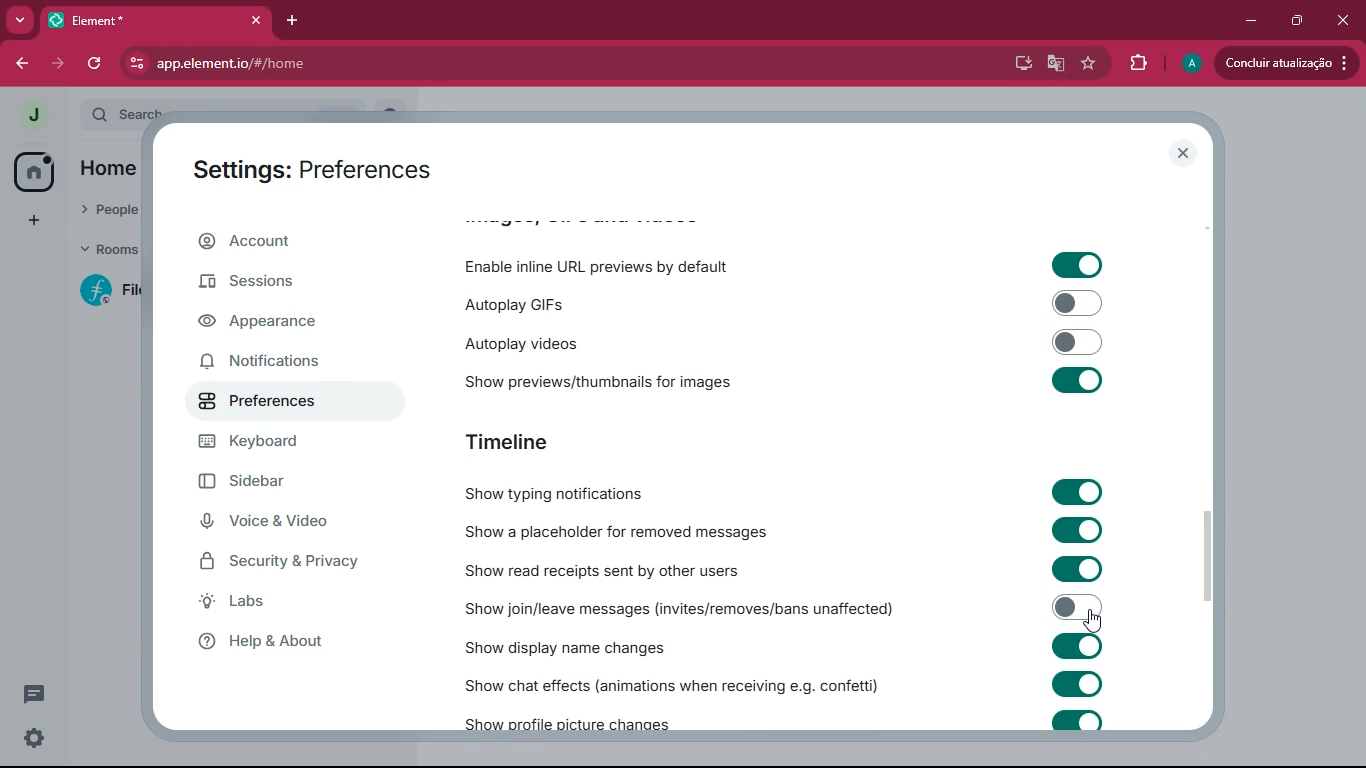 This screenshot has height=768, width=1366. I want to click on account, so click(296, 239).